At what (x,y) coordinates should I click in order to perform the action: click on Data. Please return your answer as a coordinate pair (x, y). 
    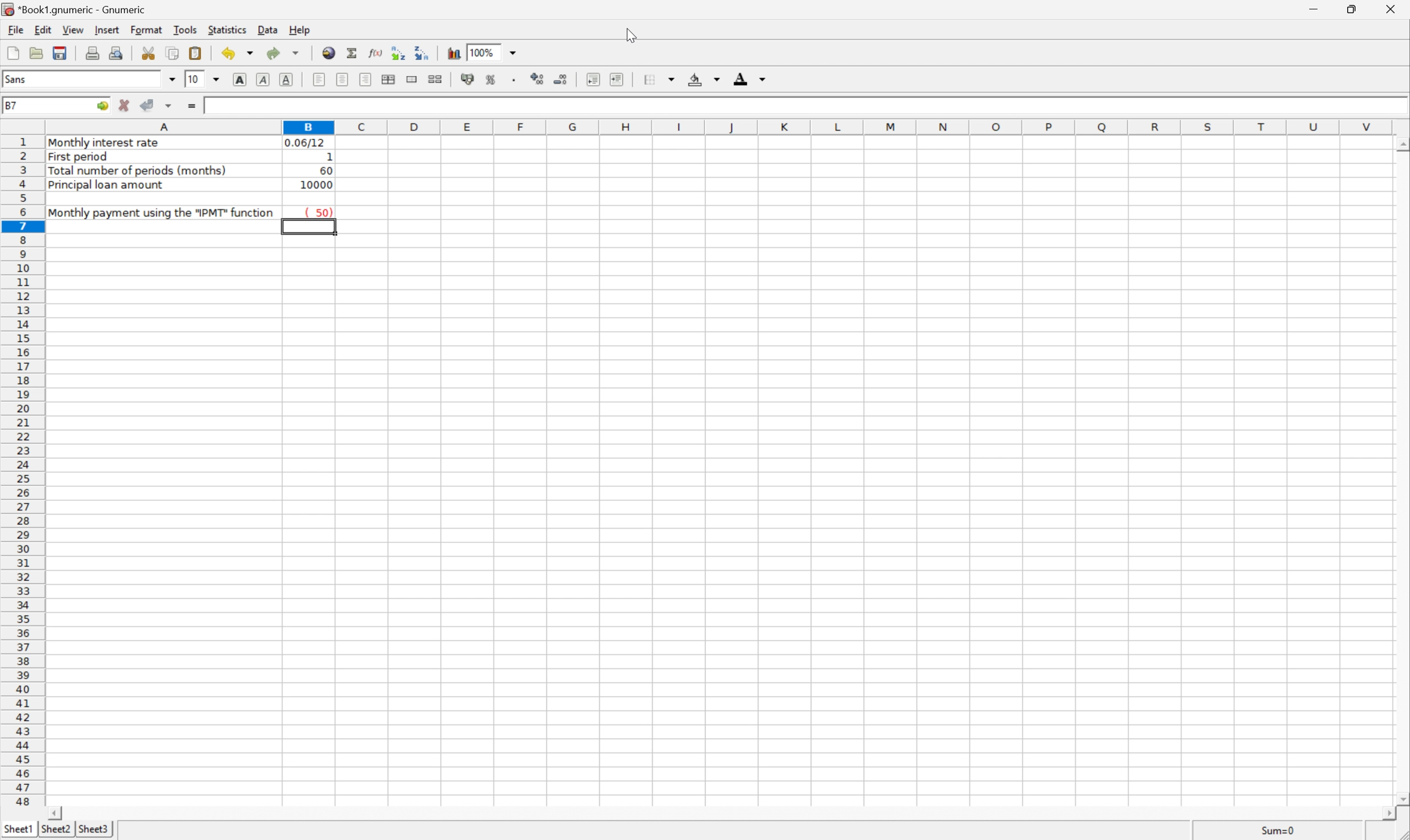
    Looking at the image, I should click on (268, 31).